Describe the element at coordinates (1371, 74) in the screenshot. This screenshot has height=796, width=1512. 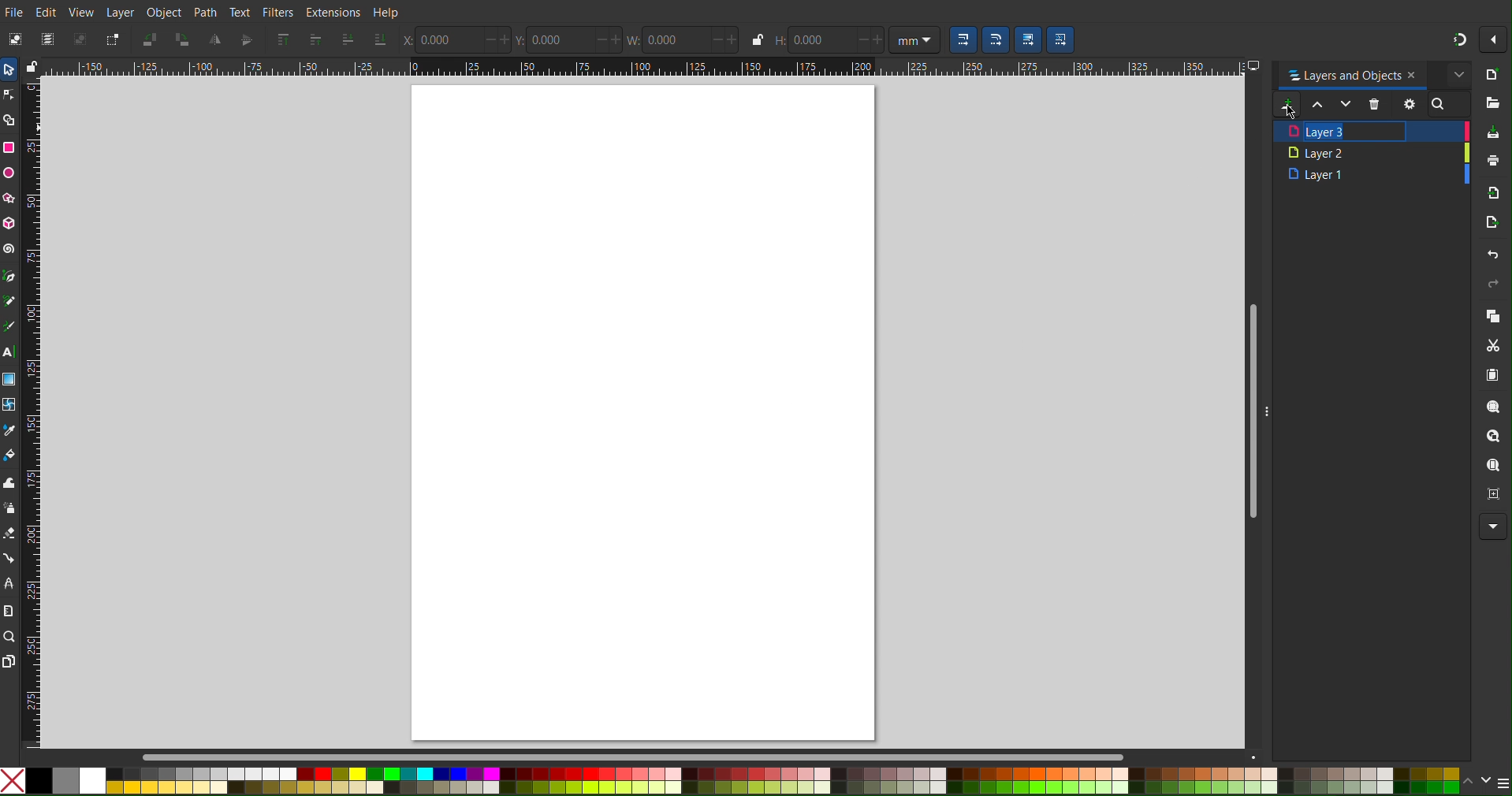
I see `Layers and Objects` at that location.